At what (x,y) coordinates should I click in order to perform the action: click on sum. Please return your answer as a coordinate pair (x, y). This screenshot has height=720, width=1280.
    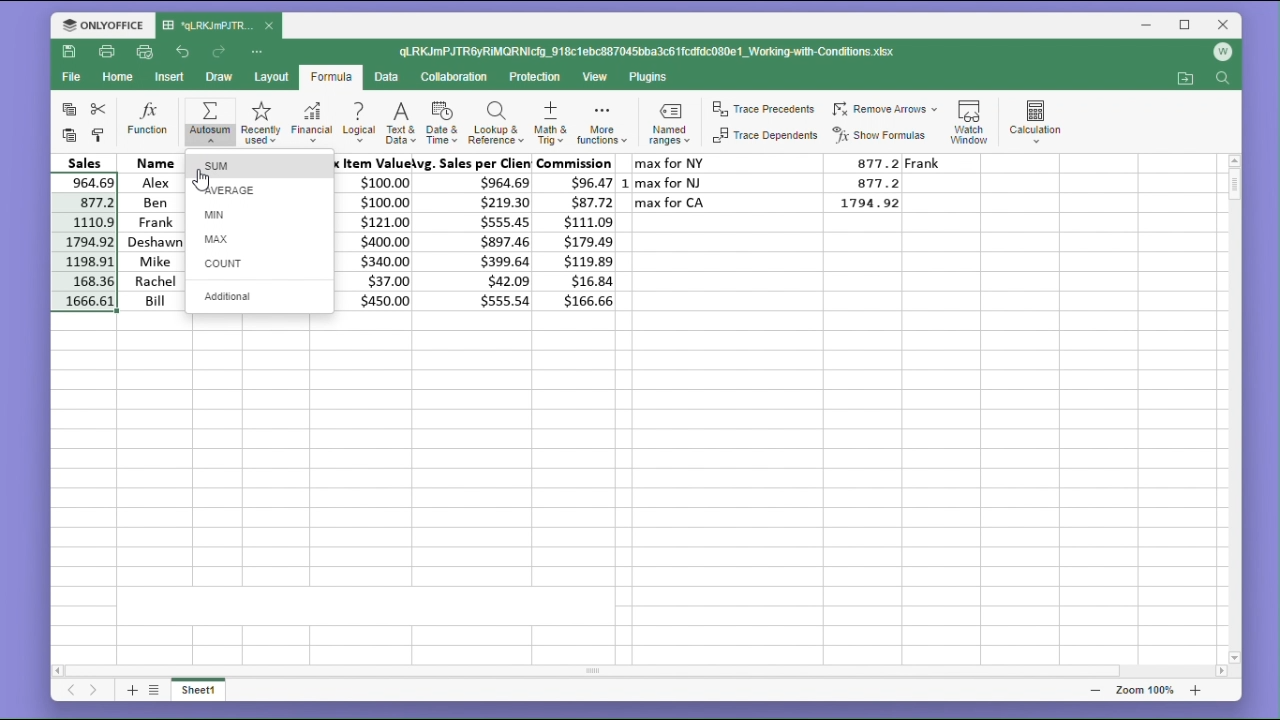
    Looking at the image, I should click on (258, 165).